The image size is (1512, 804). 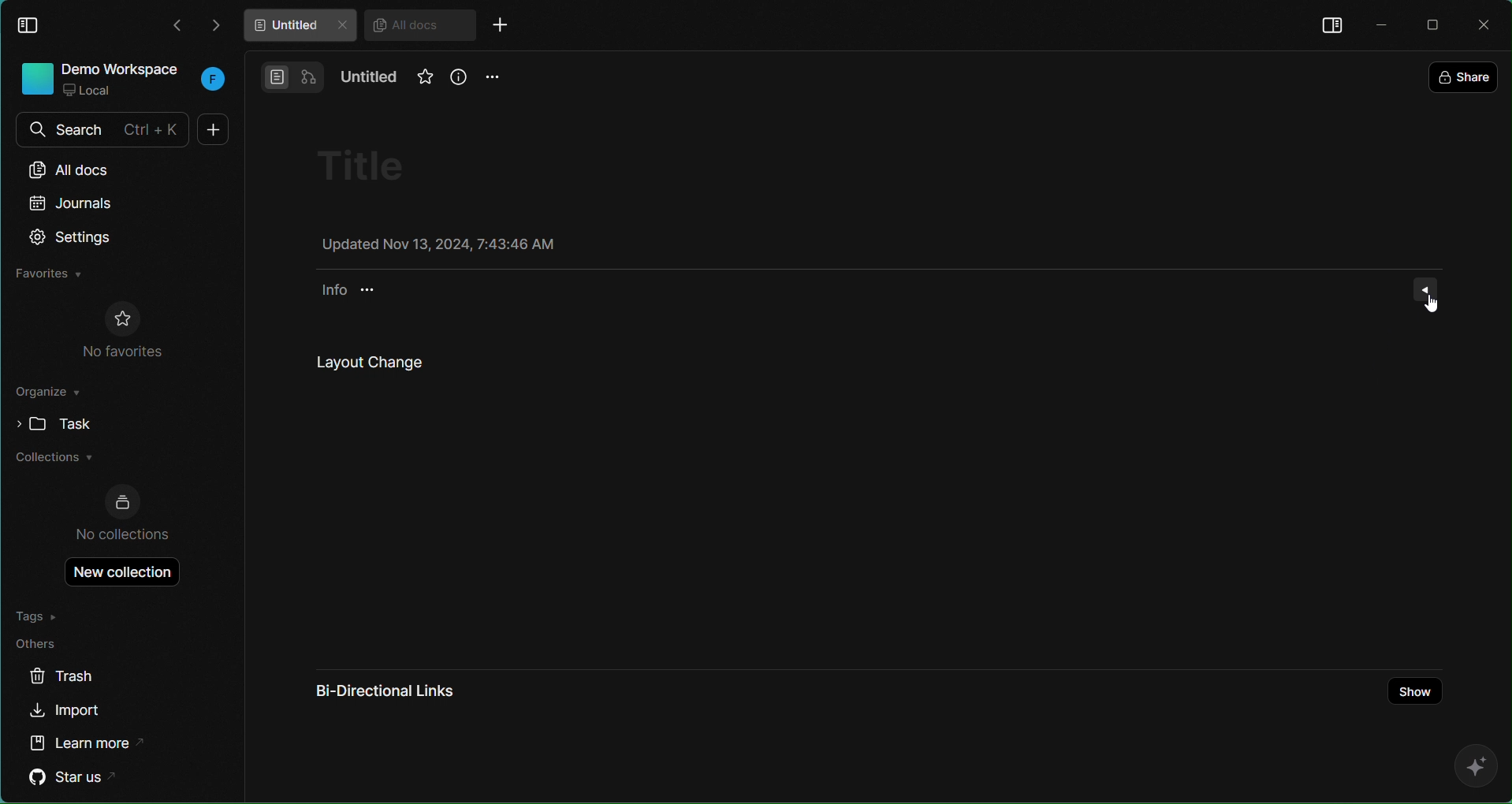 I want to click on Demo Workspace
[Jr (], so click(x=120, y=80).